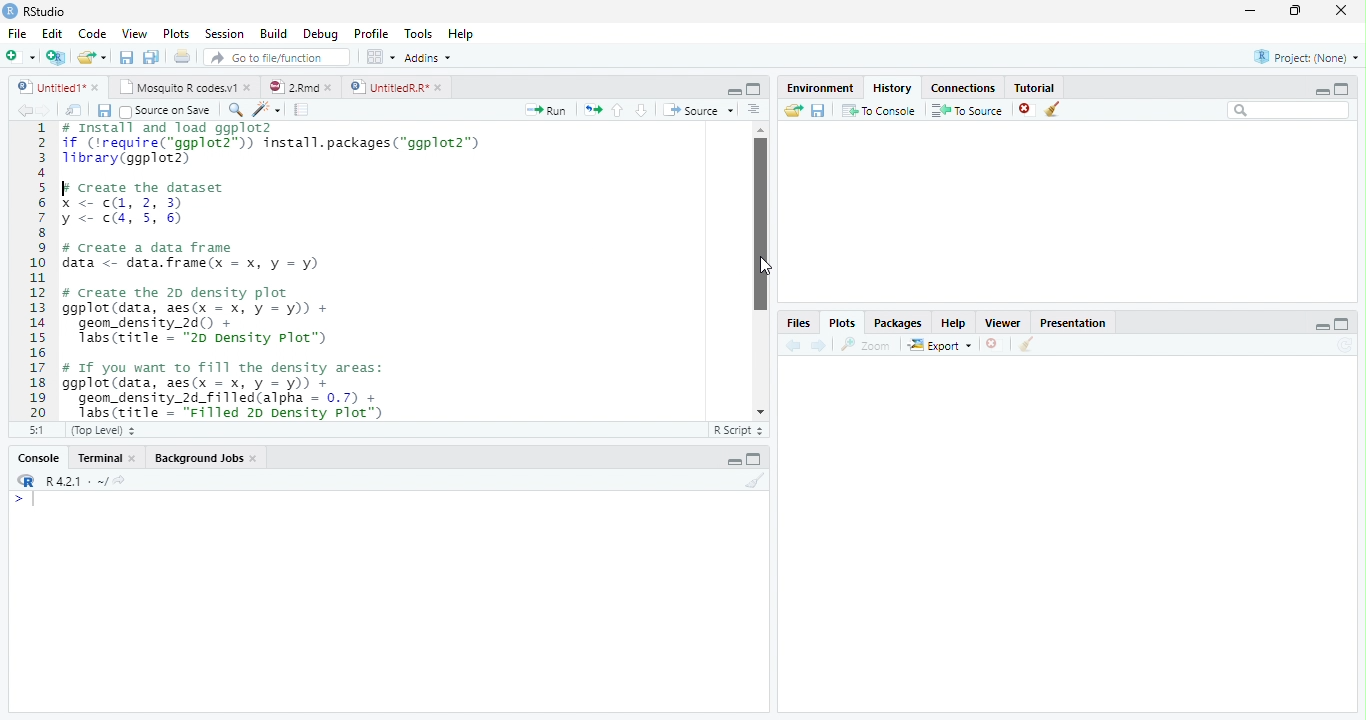 The width and height of the screenshot is (1366, 720). What do you see at coordinates (993, 344) in the screenshot?
I see `close` at bounding box center [993, 344].